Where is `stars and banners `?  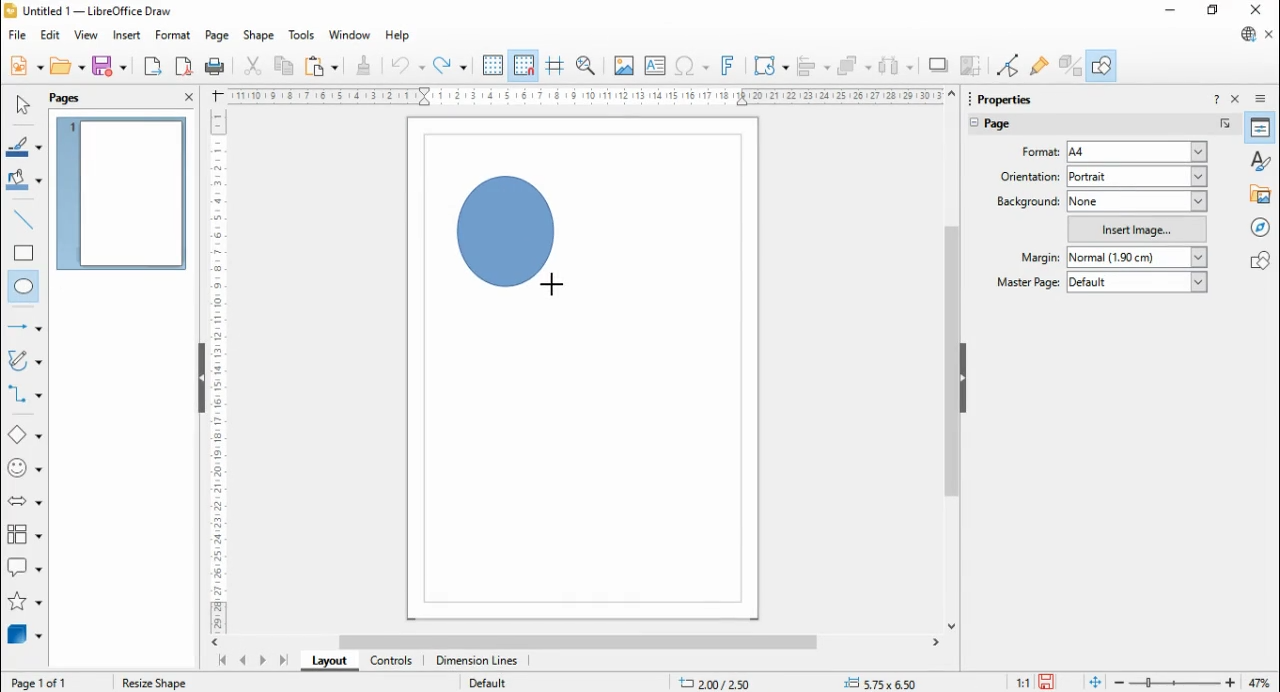 stars and banners  is located at coordinates (23, 603).